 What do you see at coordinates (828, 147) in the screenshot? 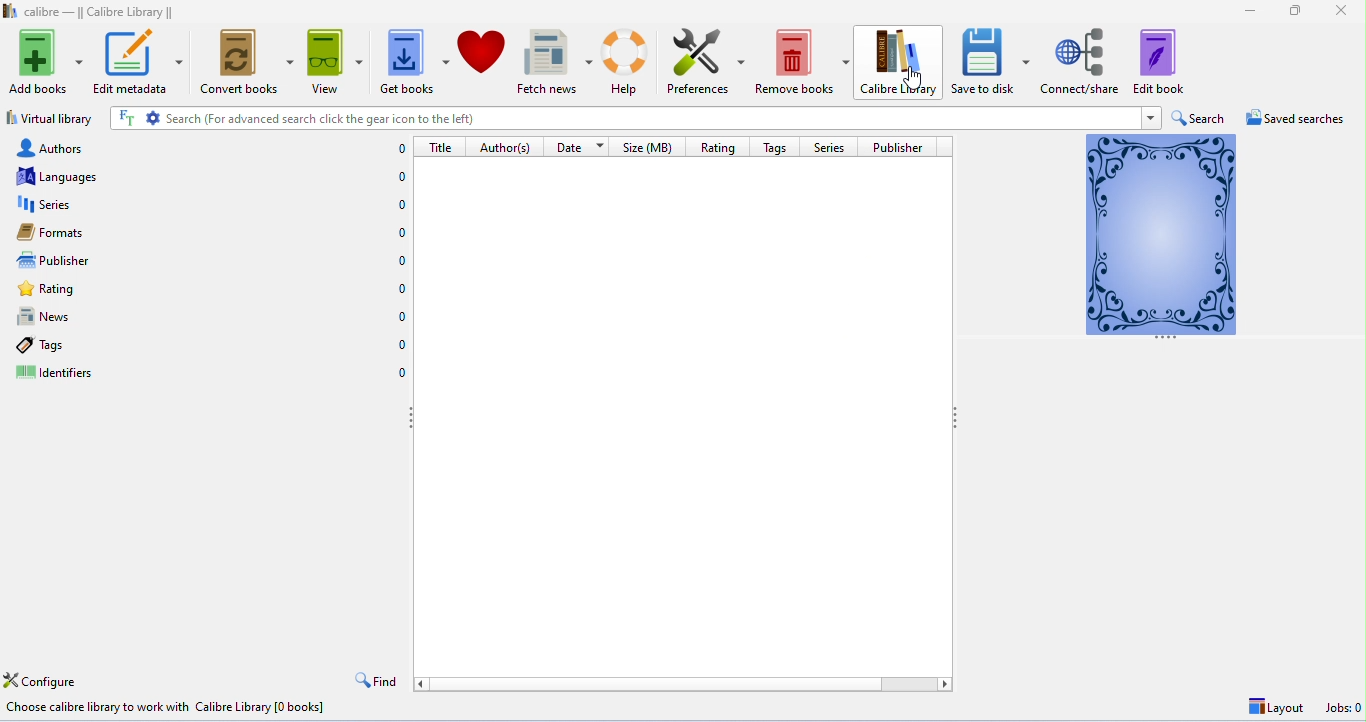
I see `series` at bounding box center [828, 147].